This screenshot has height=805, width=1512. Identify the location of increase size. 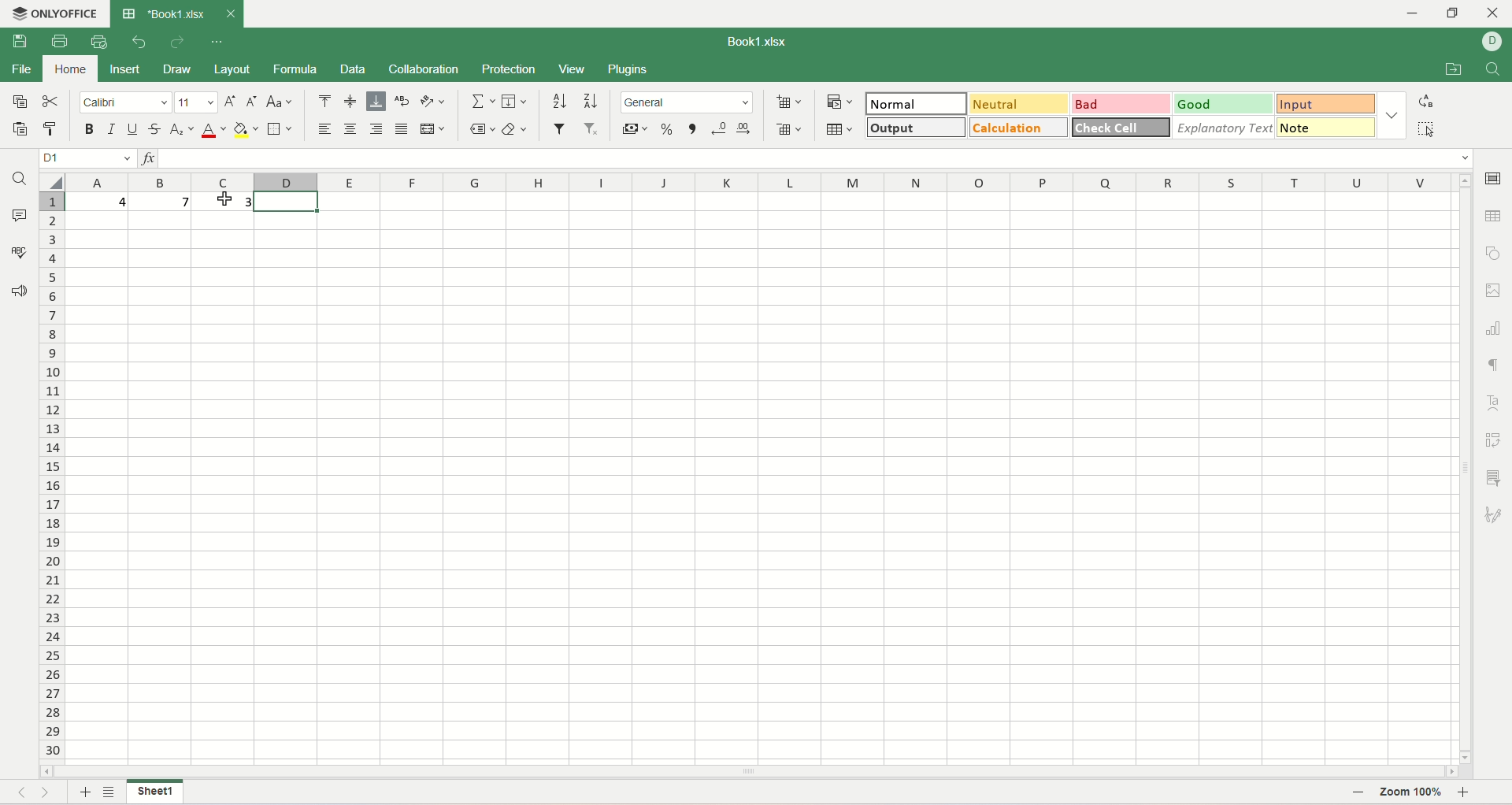
(232, 102).